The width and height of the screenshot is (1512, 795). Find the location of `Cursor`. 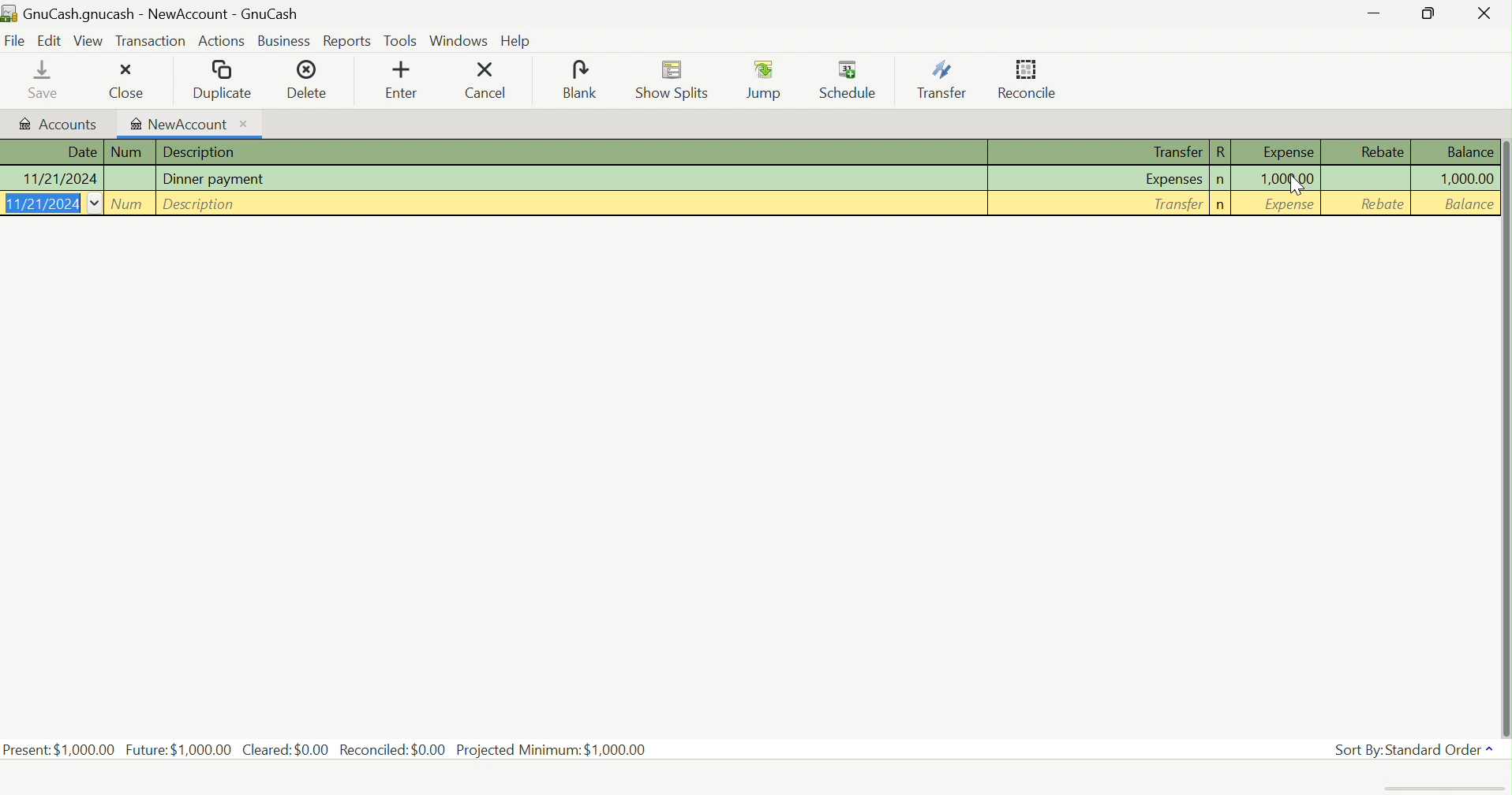

Cursor is located at coordinates (1298, 188).